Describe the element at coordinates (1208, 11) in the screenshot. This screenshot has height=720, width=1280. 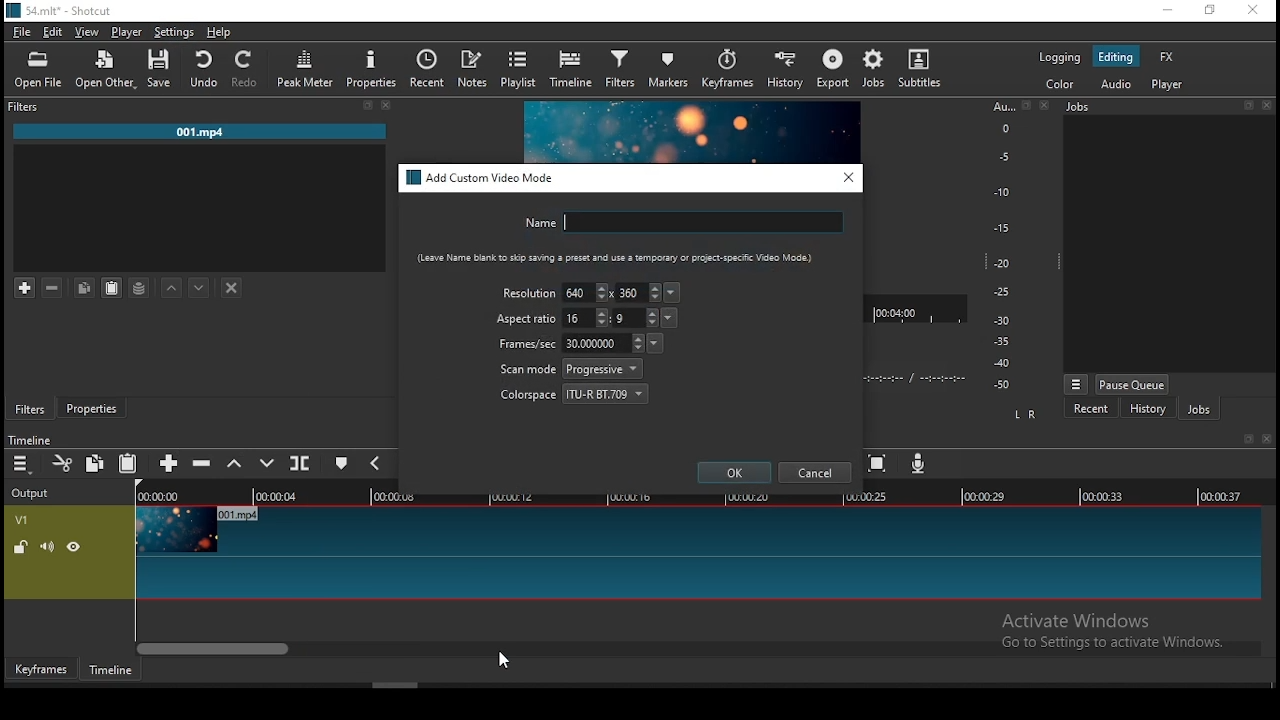
I see `restore` at that location.